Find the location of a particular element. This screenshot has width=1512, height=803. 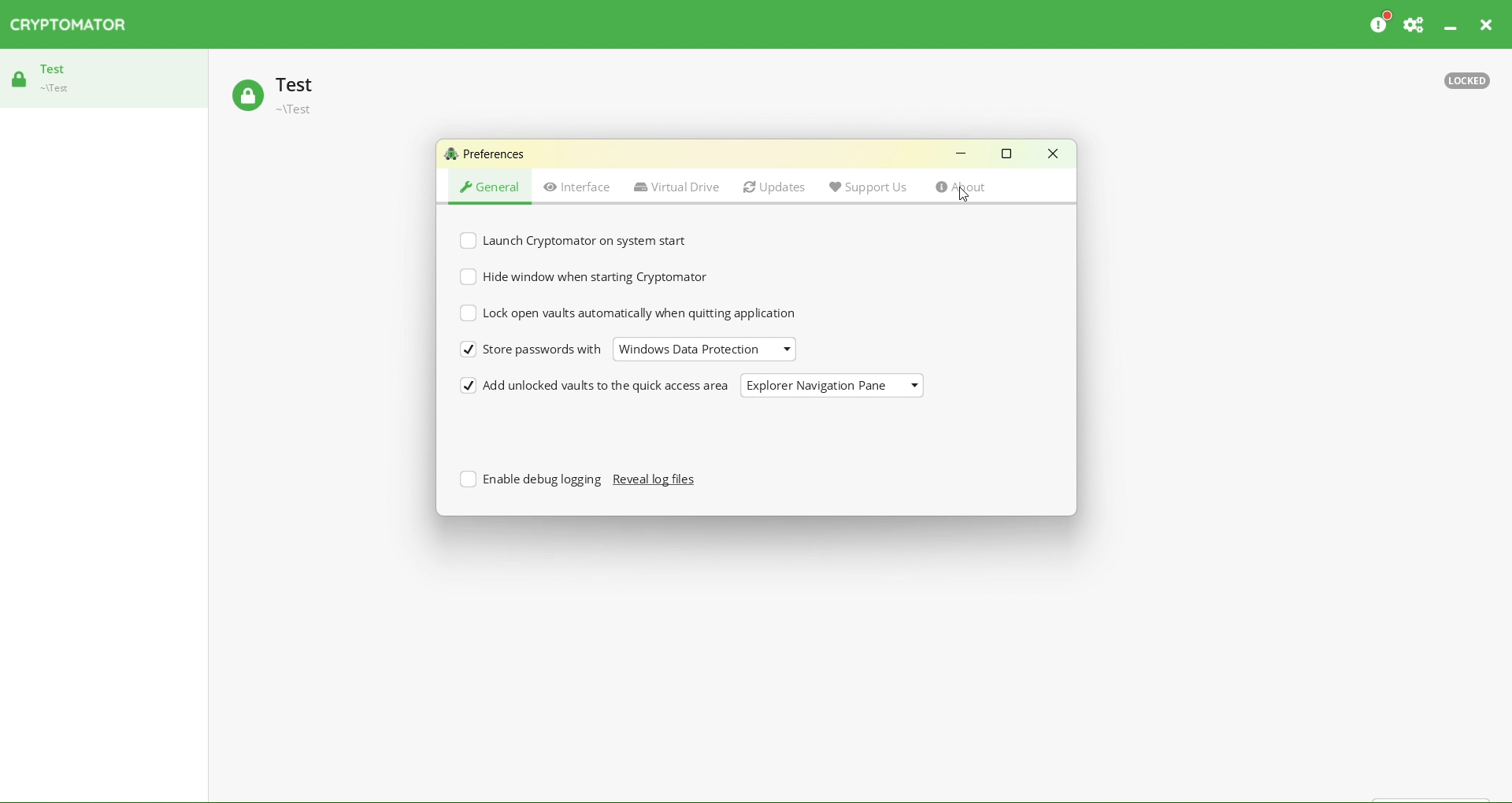

Updates is located at coordinates (773, 189).